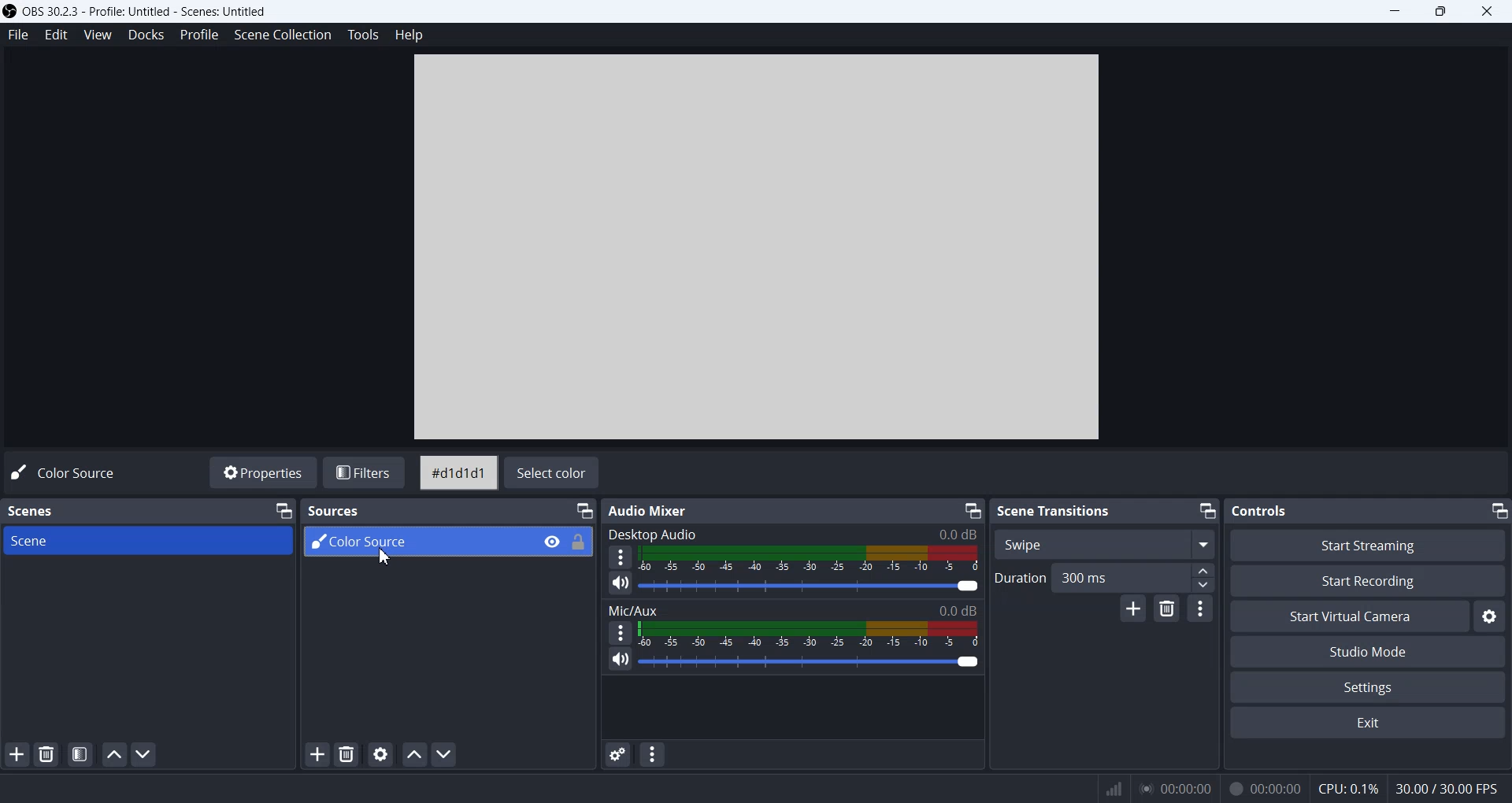 The width and height of the screenshot is (1512, 803). Describe the element at coordinates (1369, 686) in the screenshot. I see `Settings` at that location.